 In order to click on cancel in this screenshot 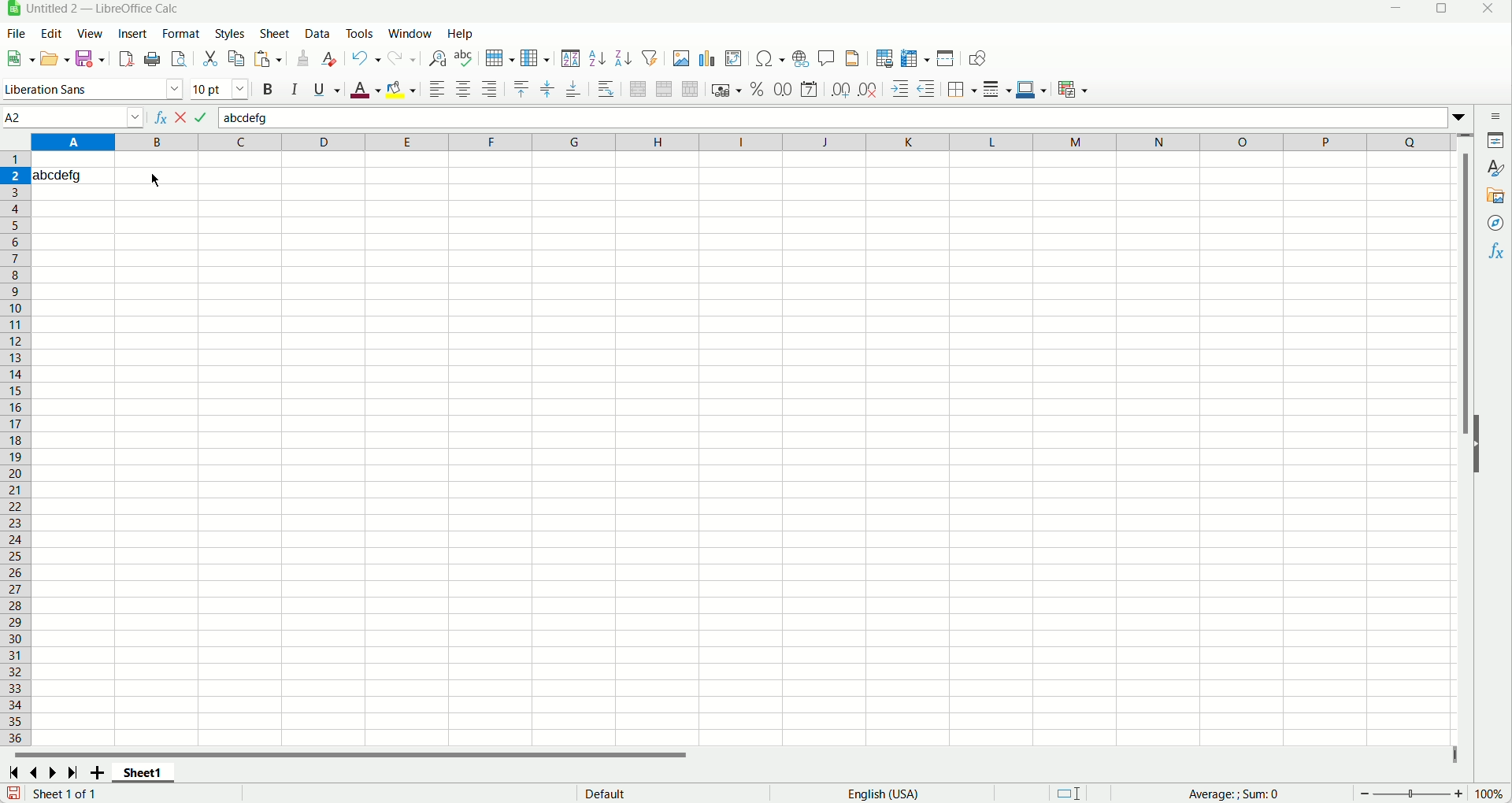, I will do `click(181, 117)`.